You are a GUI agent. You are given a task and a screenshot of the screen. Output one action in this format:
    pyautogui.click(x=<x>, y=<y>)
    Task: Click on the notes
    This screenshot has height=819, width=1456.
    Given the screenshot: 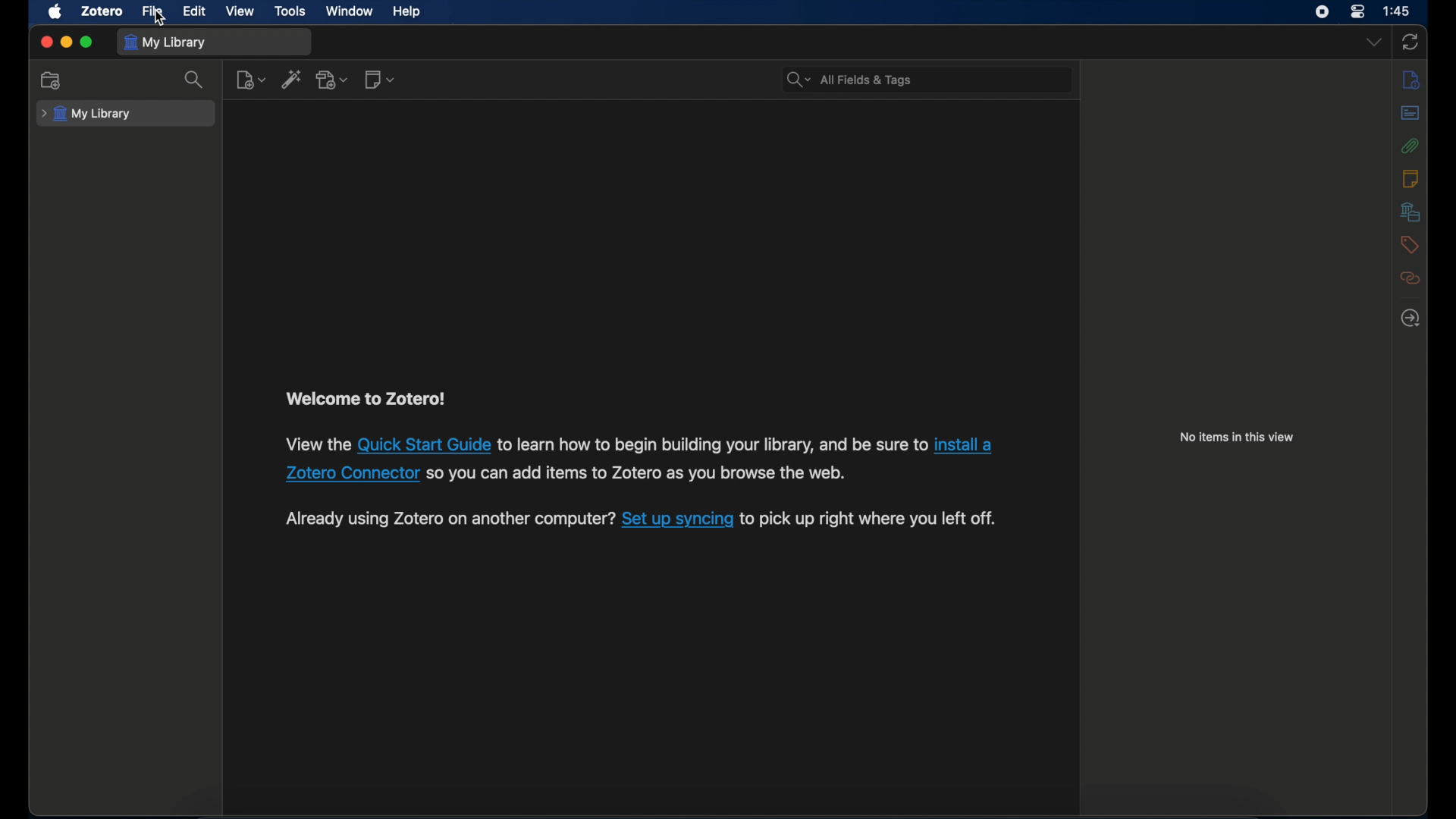 What is the action you would take?
    pyautogui.click(x=1411, y=179)
    